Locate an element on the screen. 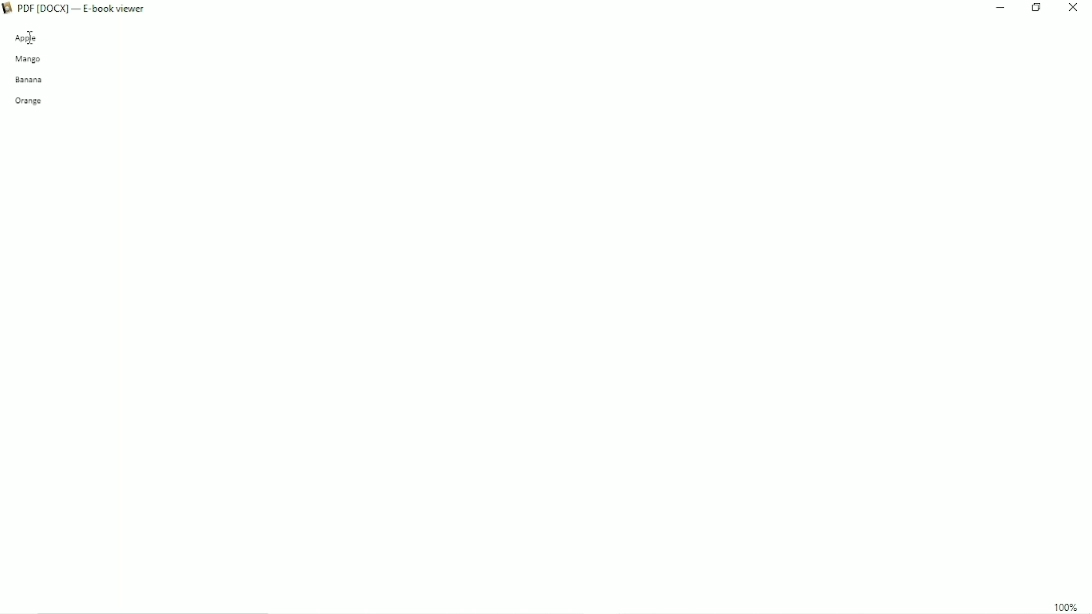 The image size is (1092, 614). Book Title is located at coordinates (87, 8).